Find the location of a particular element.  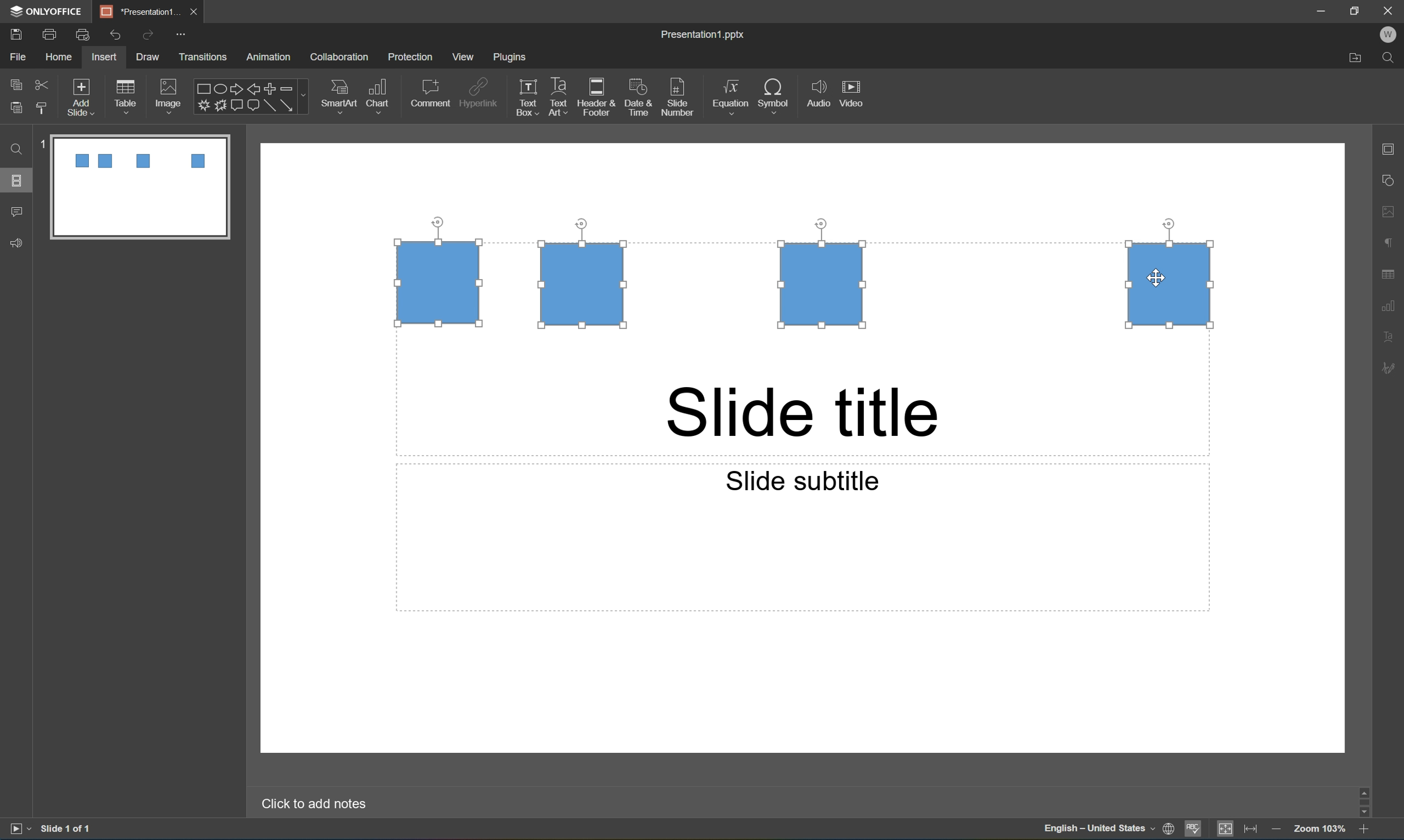

Open file location is located at coordinates (1353, 59).